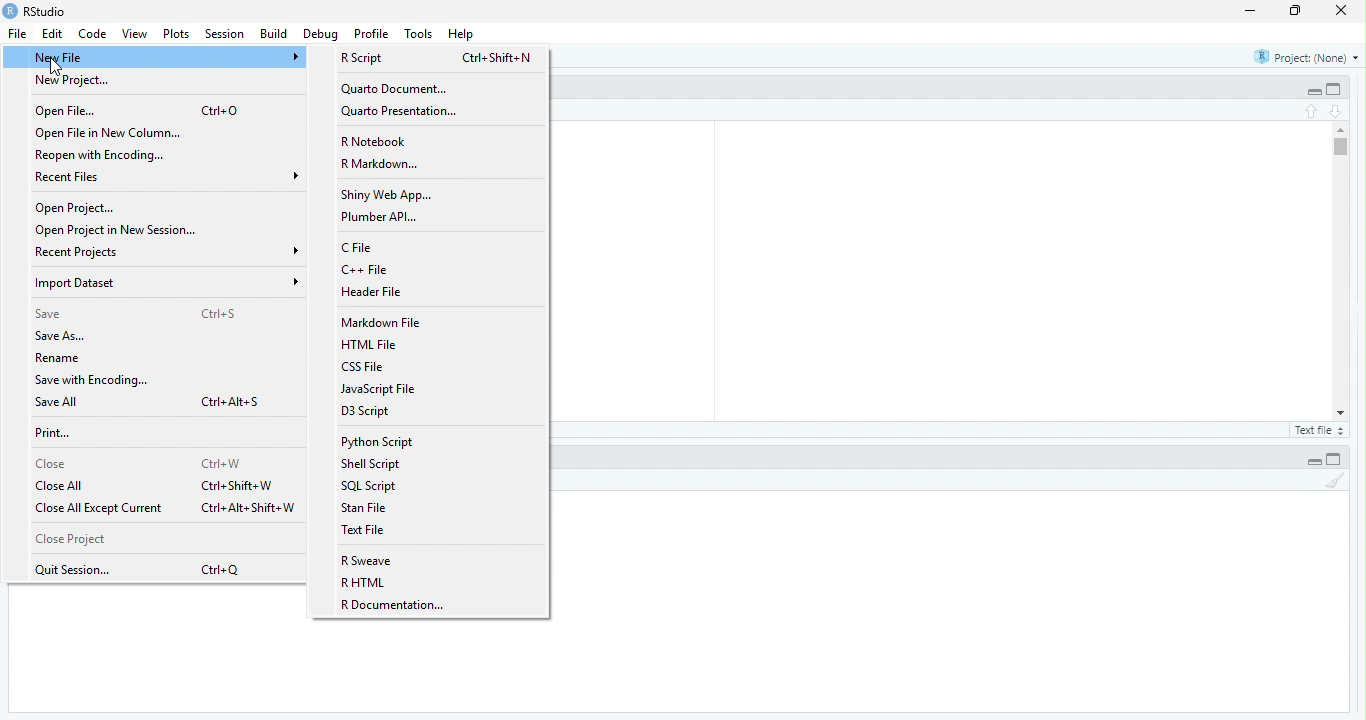 This screenshot has height=720, width=1366. I want to click on Tools, so click(419, 34).